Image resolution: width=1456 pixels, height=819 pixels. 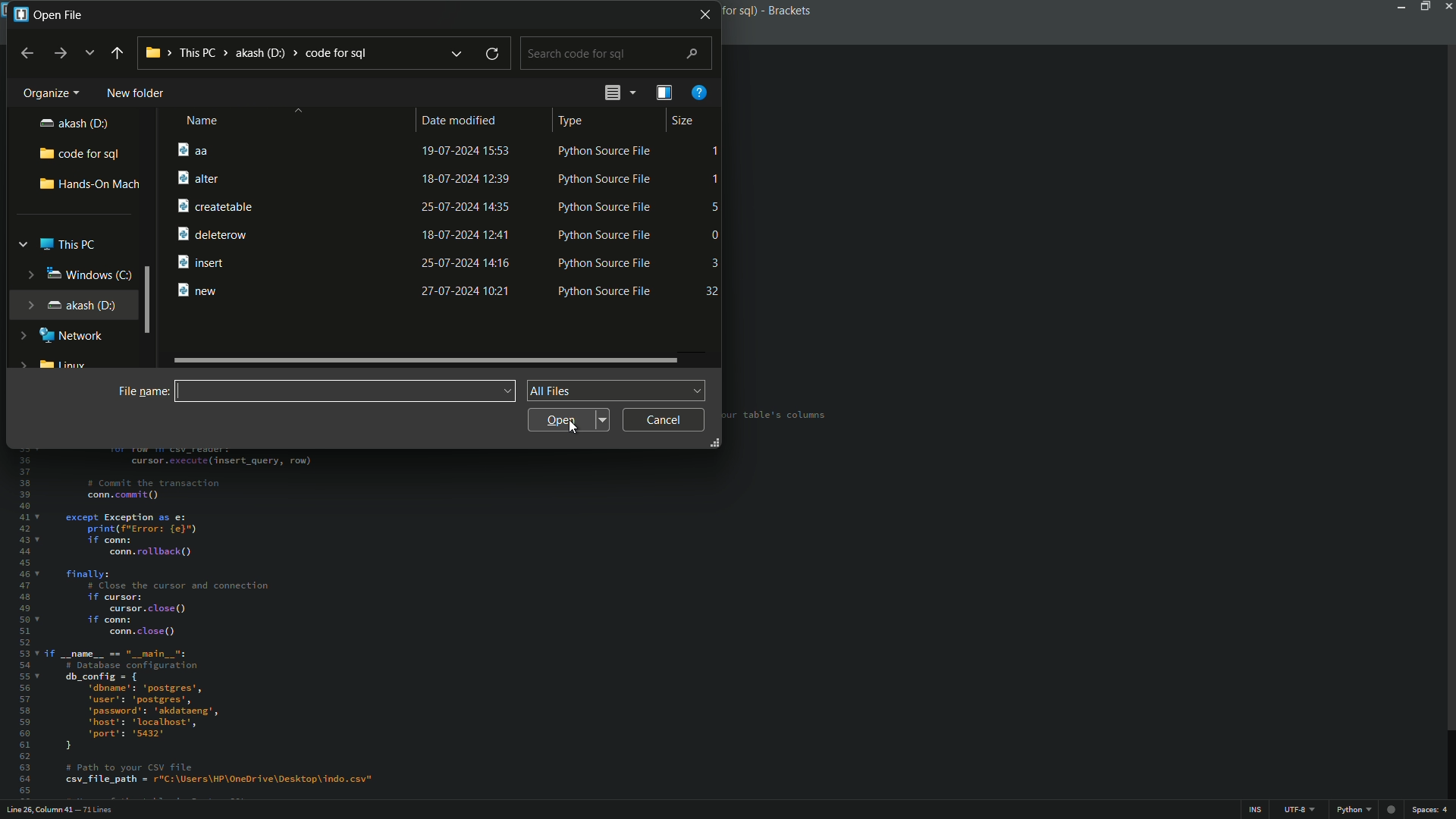 What do you see at coordinates (467, 234) in the screenshot?
I see `18-07-2024 12:41` at bounding box center [467, 234].